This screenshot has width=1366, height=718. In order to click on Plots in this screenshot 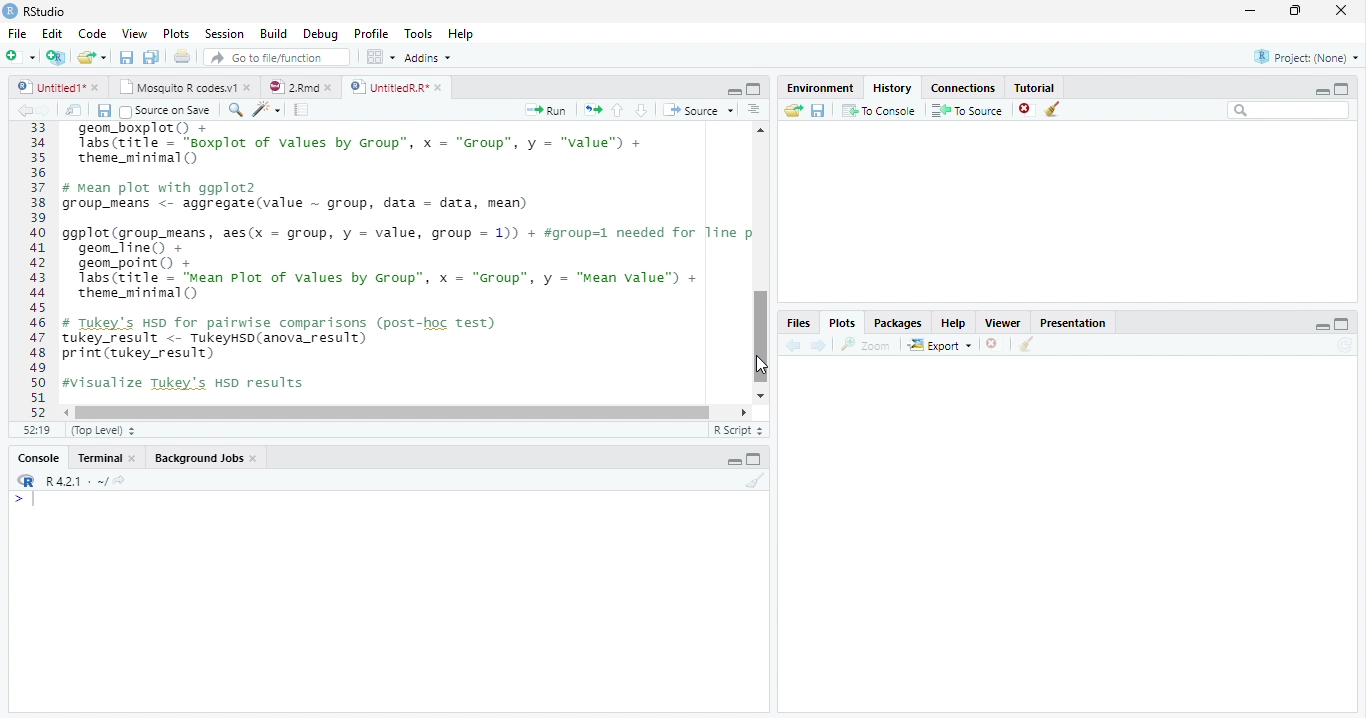, I will do `click(176, 34)`.